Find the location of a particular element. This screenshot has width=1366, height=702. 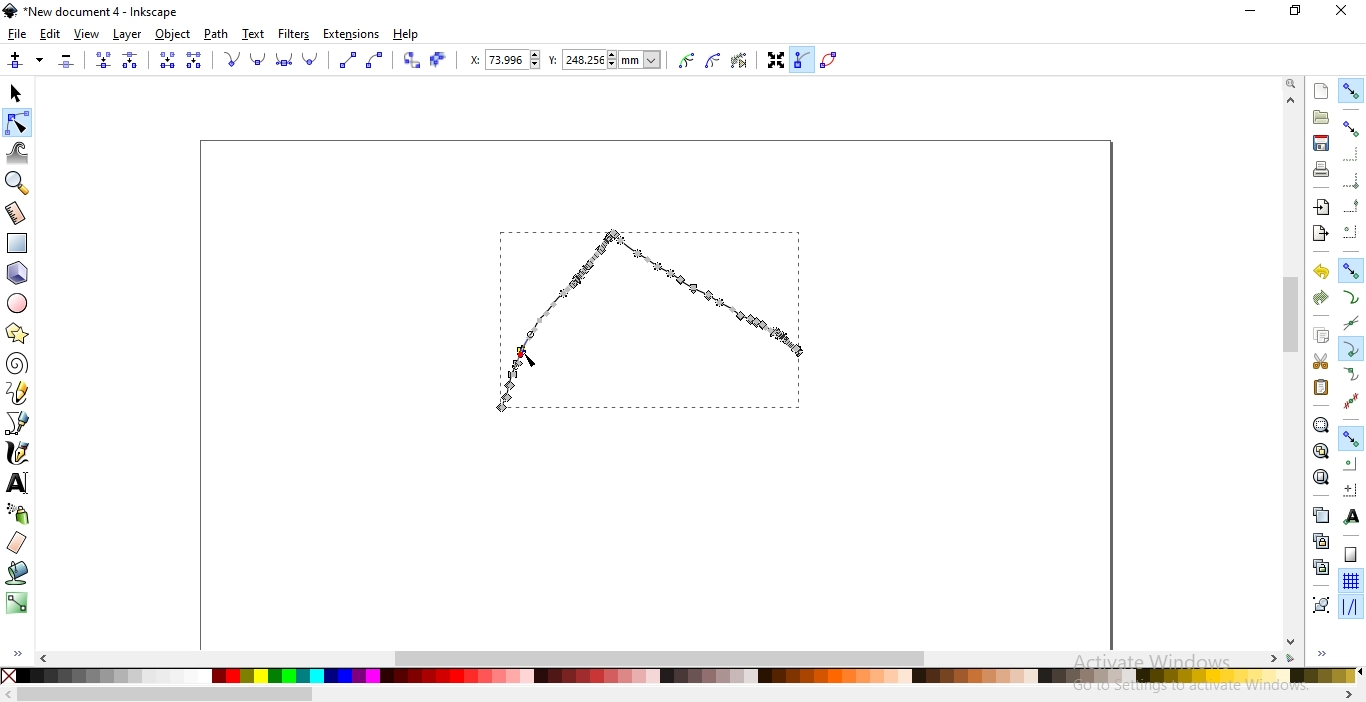

cut is located at coordinates (1320, 362).